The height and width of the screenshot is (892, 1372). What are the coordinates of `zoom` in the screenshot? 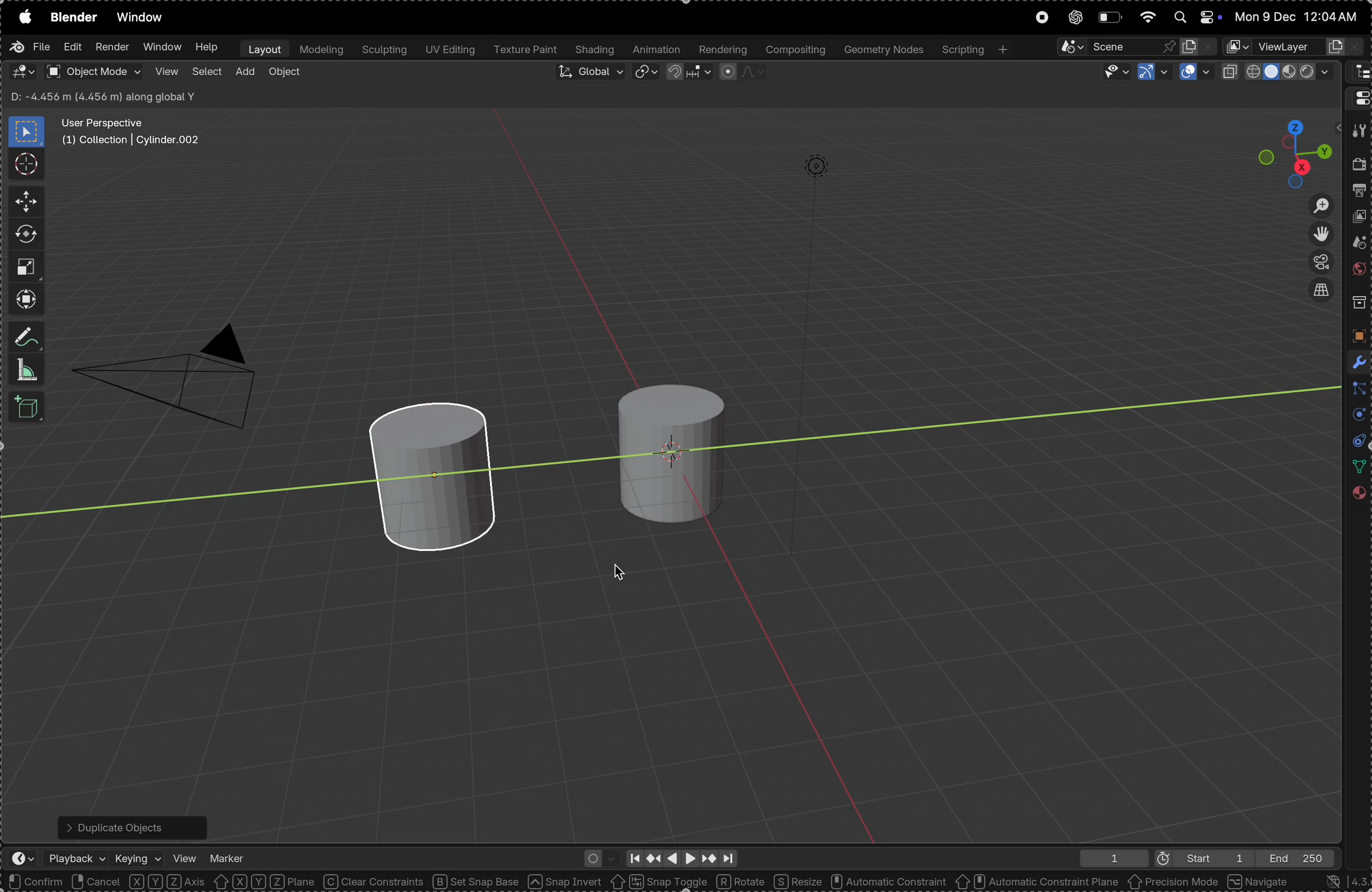 It's located at (1314, 205).